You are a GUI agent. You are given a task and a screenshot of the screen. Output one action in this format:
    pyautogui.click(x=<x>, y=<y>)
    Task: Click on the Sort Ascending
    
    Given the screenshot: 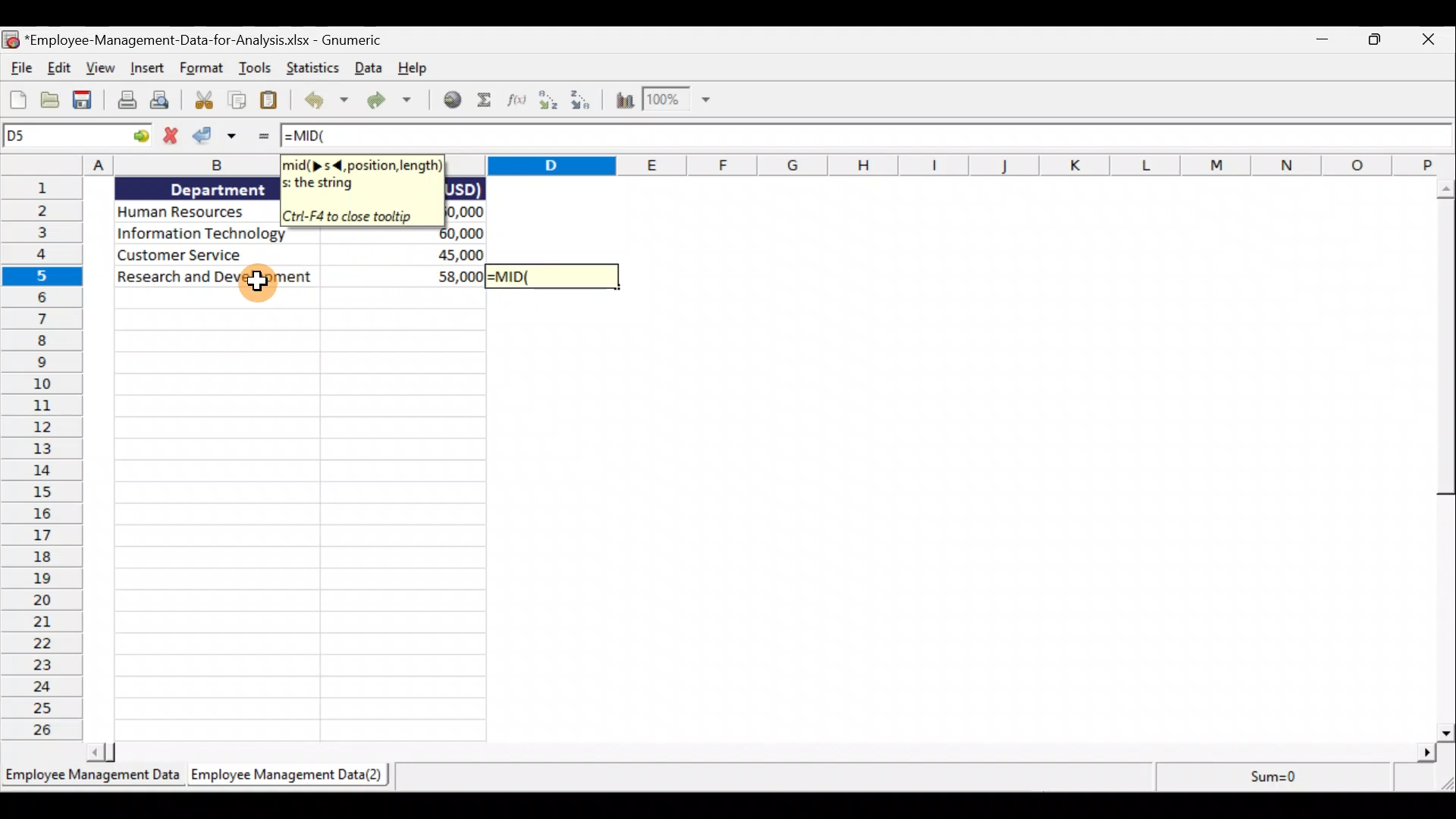 What is the action you would take?
    pyautogui.click(x=549, y=103)
    